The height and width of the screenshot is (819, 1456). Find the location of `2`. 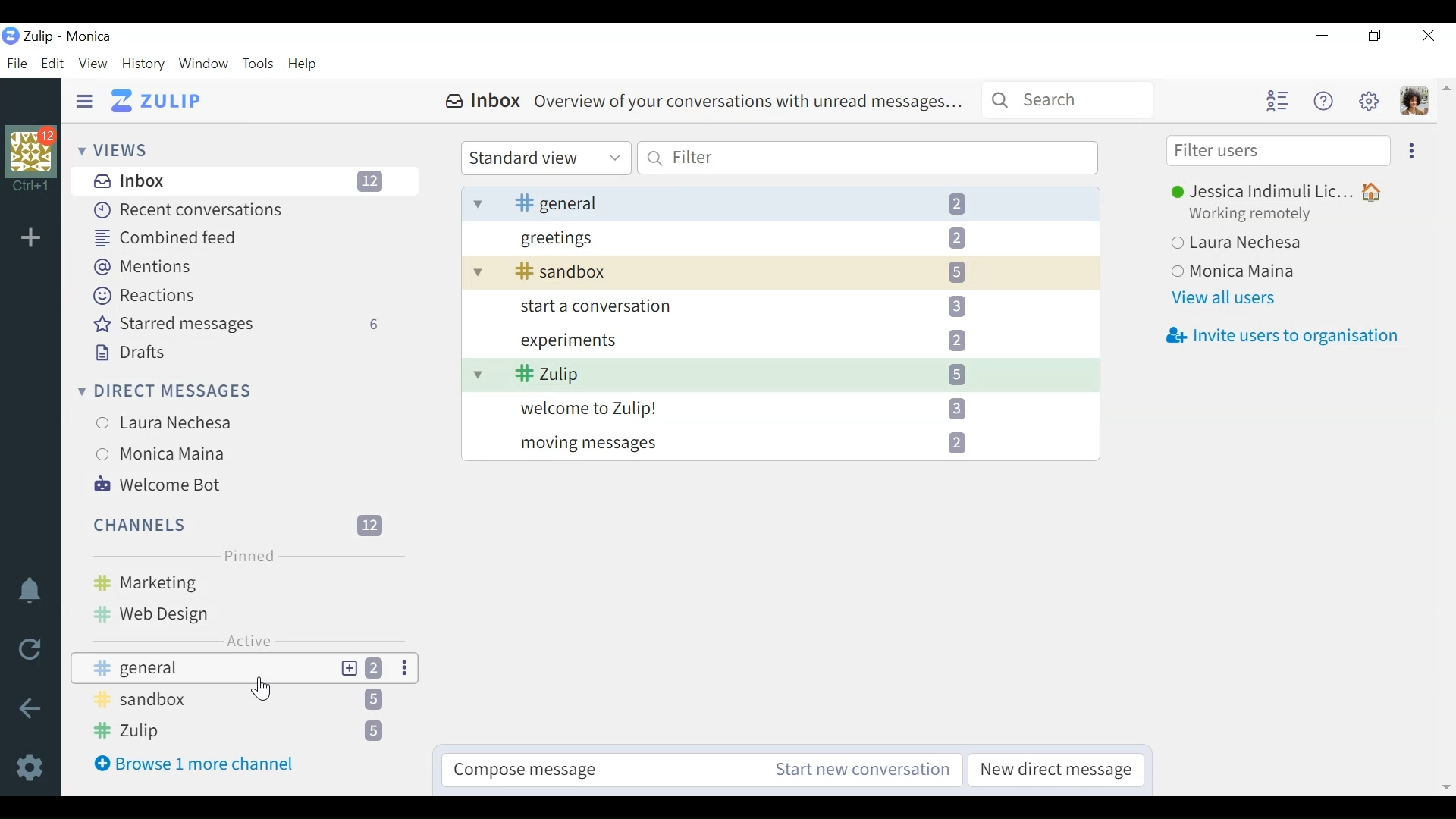

2 is located at coordinates (378, 668).